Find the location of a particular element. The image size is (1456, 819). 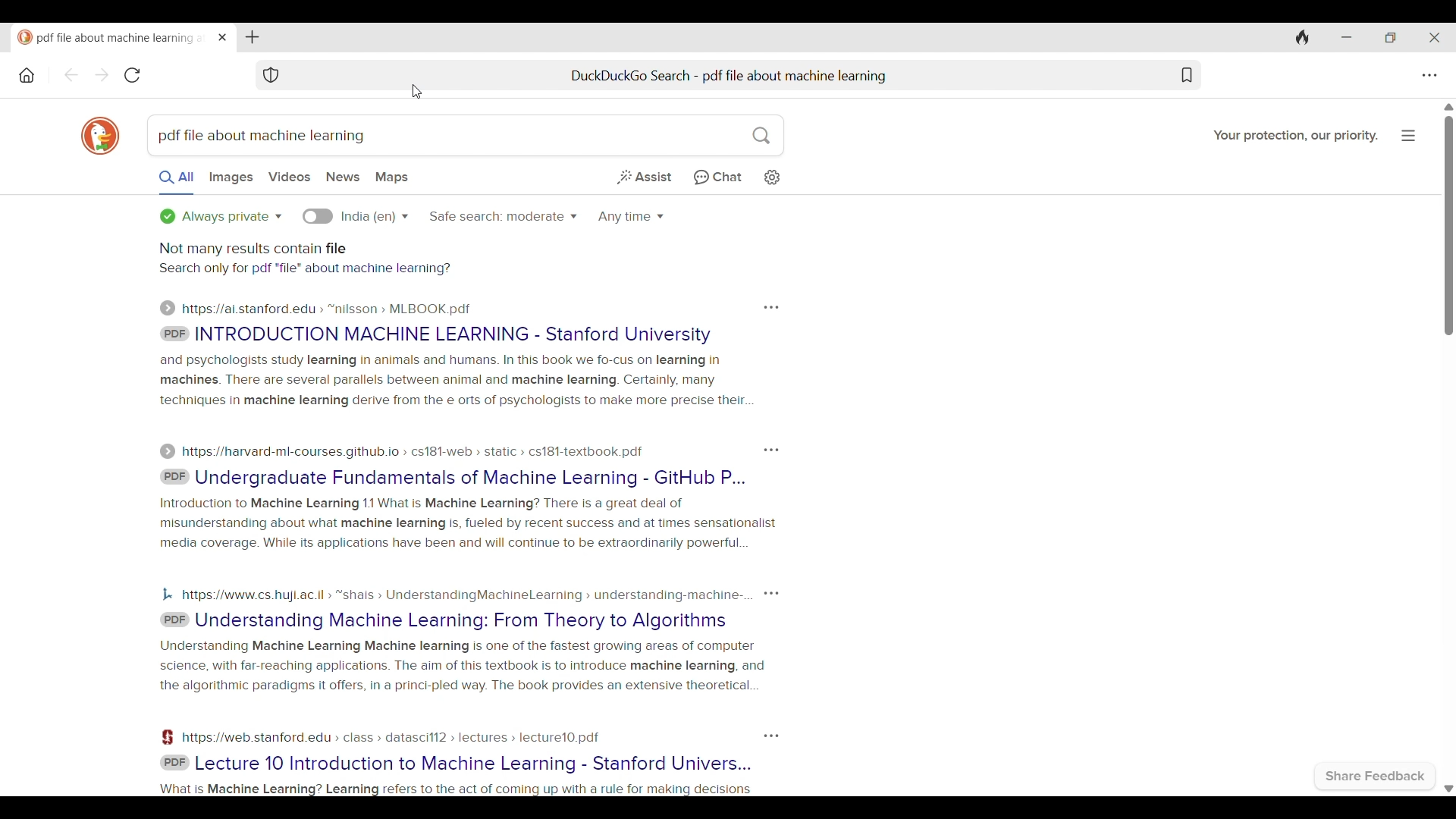

Change search settings is located at coordinates (772, 177).